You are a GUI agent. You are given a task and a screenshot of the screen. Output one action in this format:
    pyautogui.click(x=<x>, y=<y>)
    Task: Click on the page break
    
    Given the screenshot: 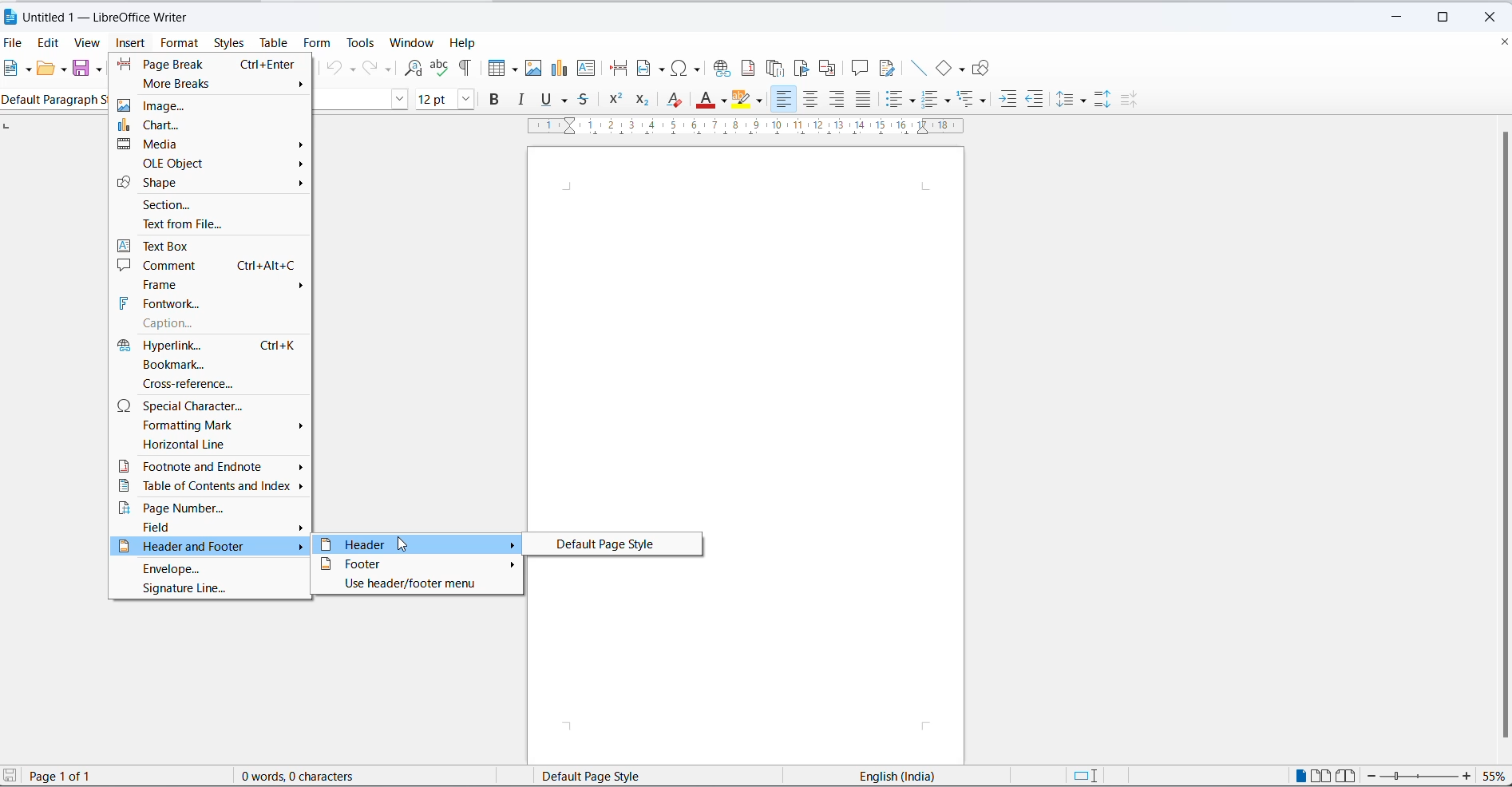 What is the action you would take?
    pyautogui.click(x=212, y=64)
    